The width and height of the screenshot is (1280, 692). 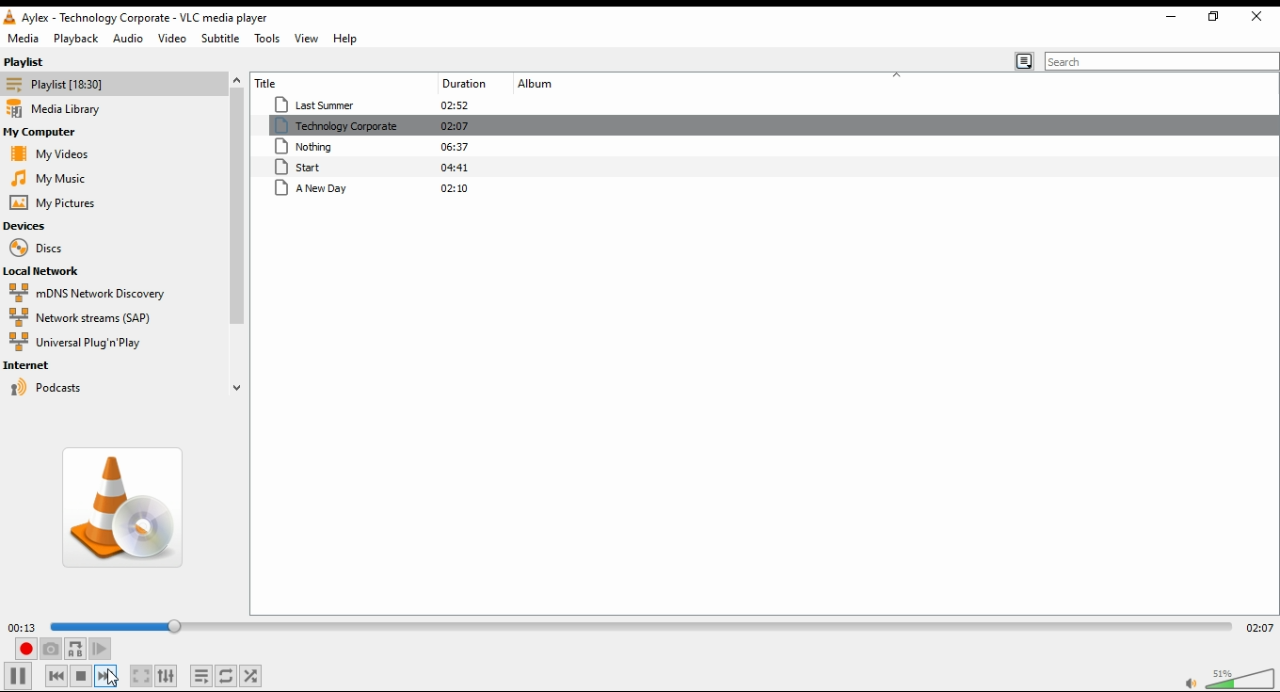 What do you see at coordinates (84, 676) in the screenshot?
I see `stop` at bounding box center [84, 676].